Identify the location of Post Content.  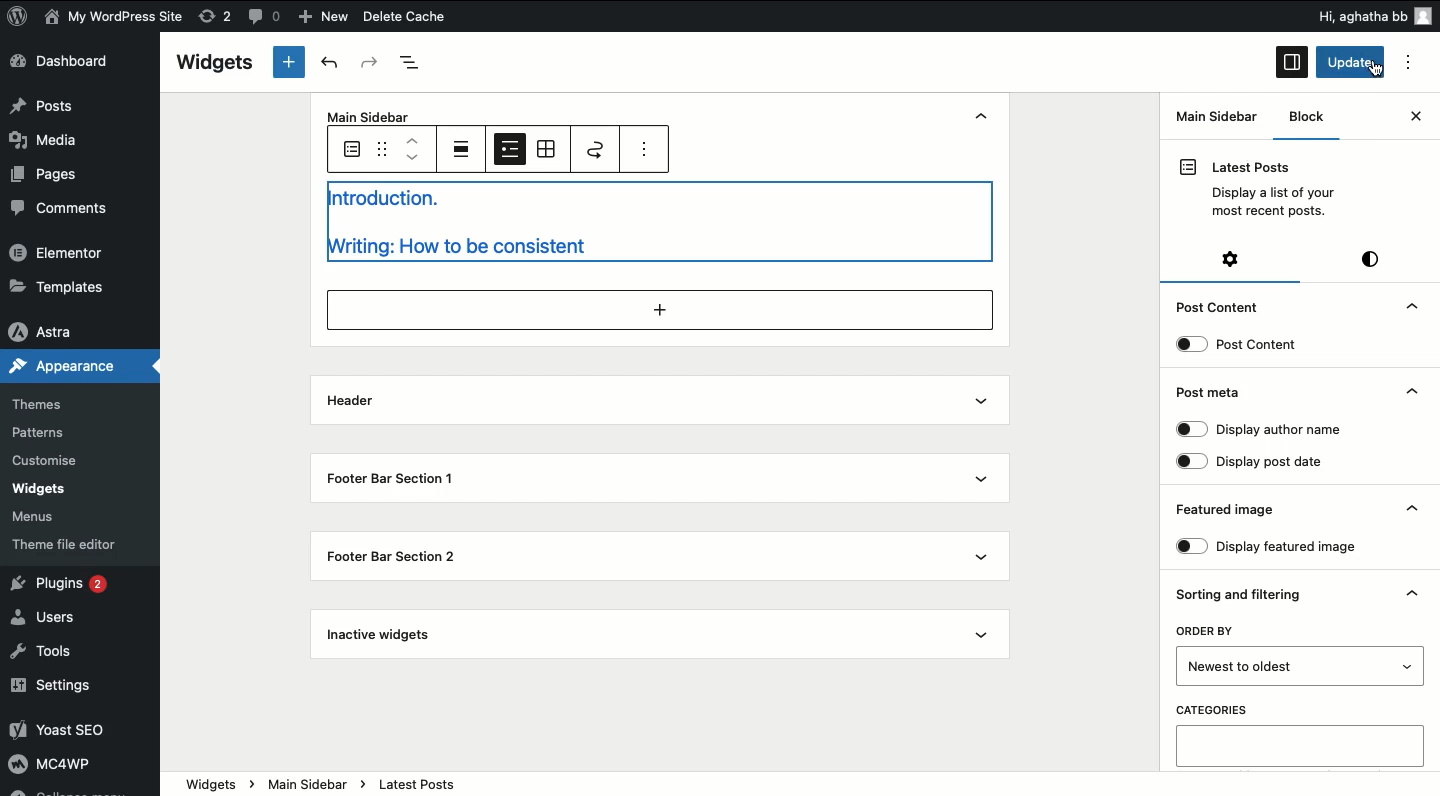
(1220, 306).